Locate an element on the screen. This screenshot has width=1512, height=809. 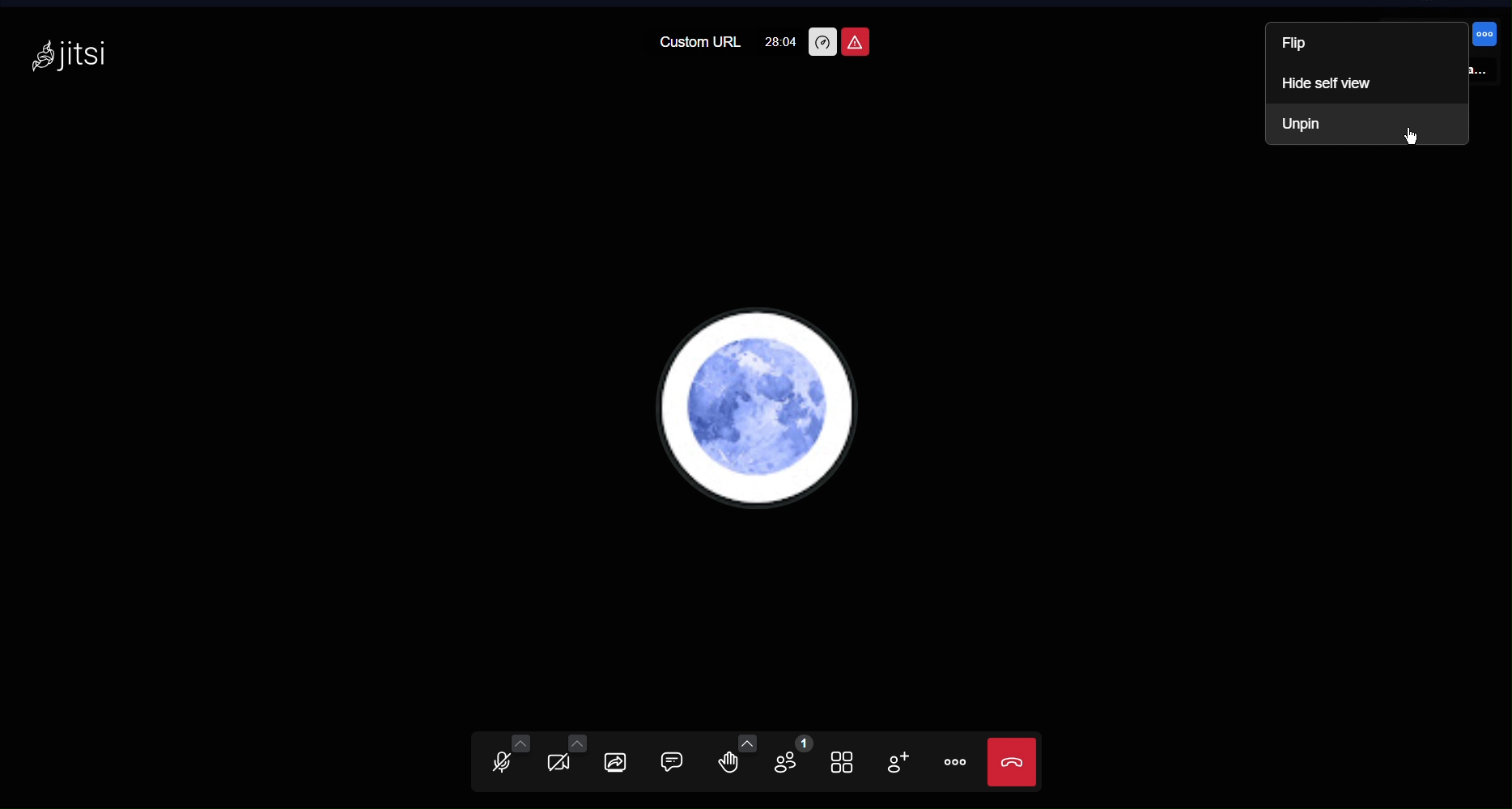
Hide self view is located at coordinates (1325, 80).